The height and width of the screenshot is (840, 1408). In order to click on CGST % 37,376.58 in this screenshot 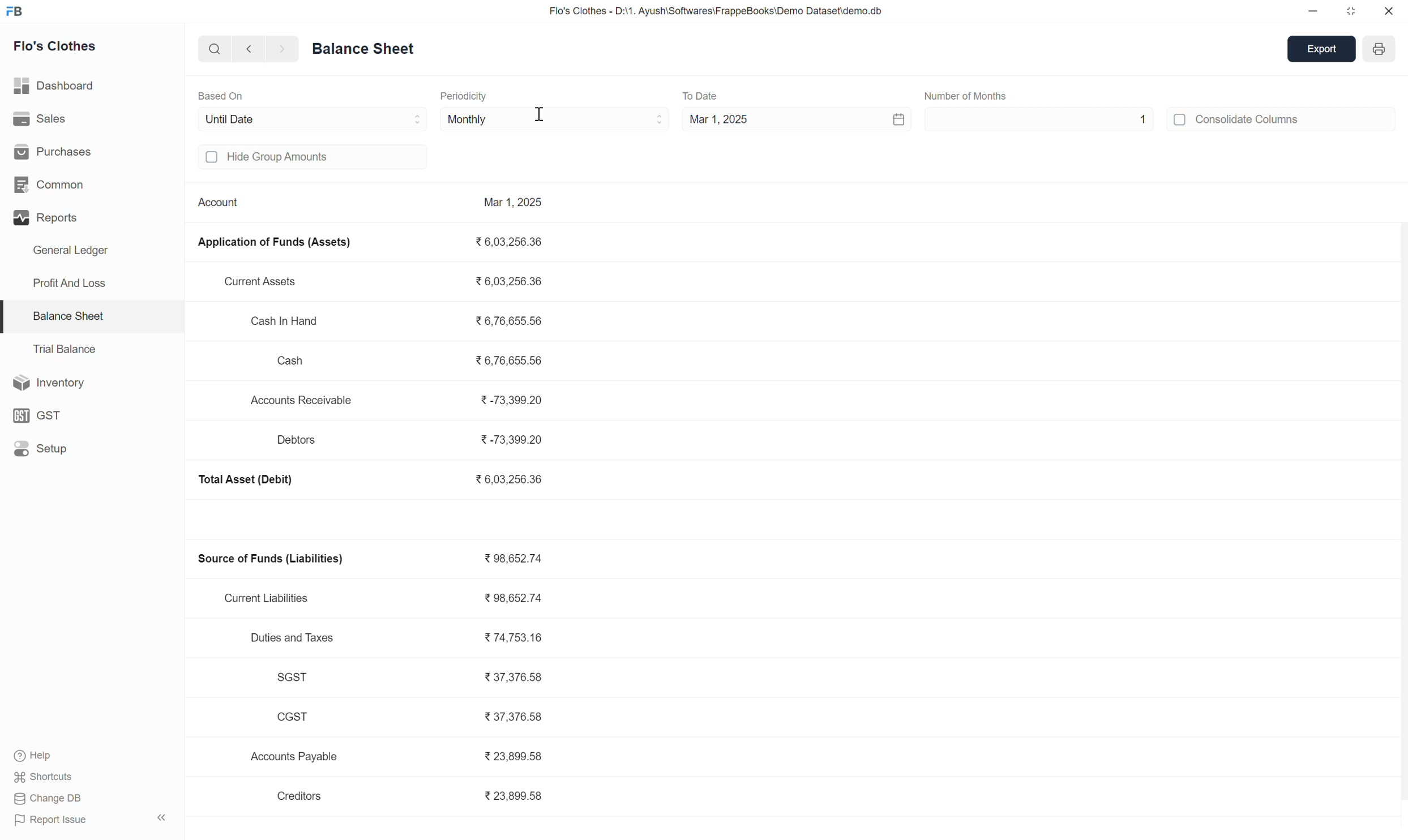, I will do `click(413, 717)`.